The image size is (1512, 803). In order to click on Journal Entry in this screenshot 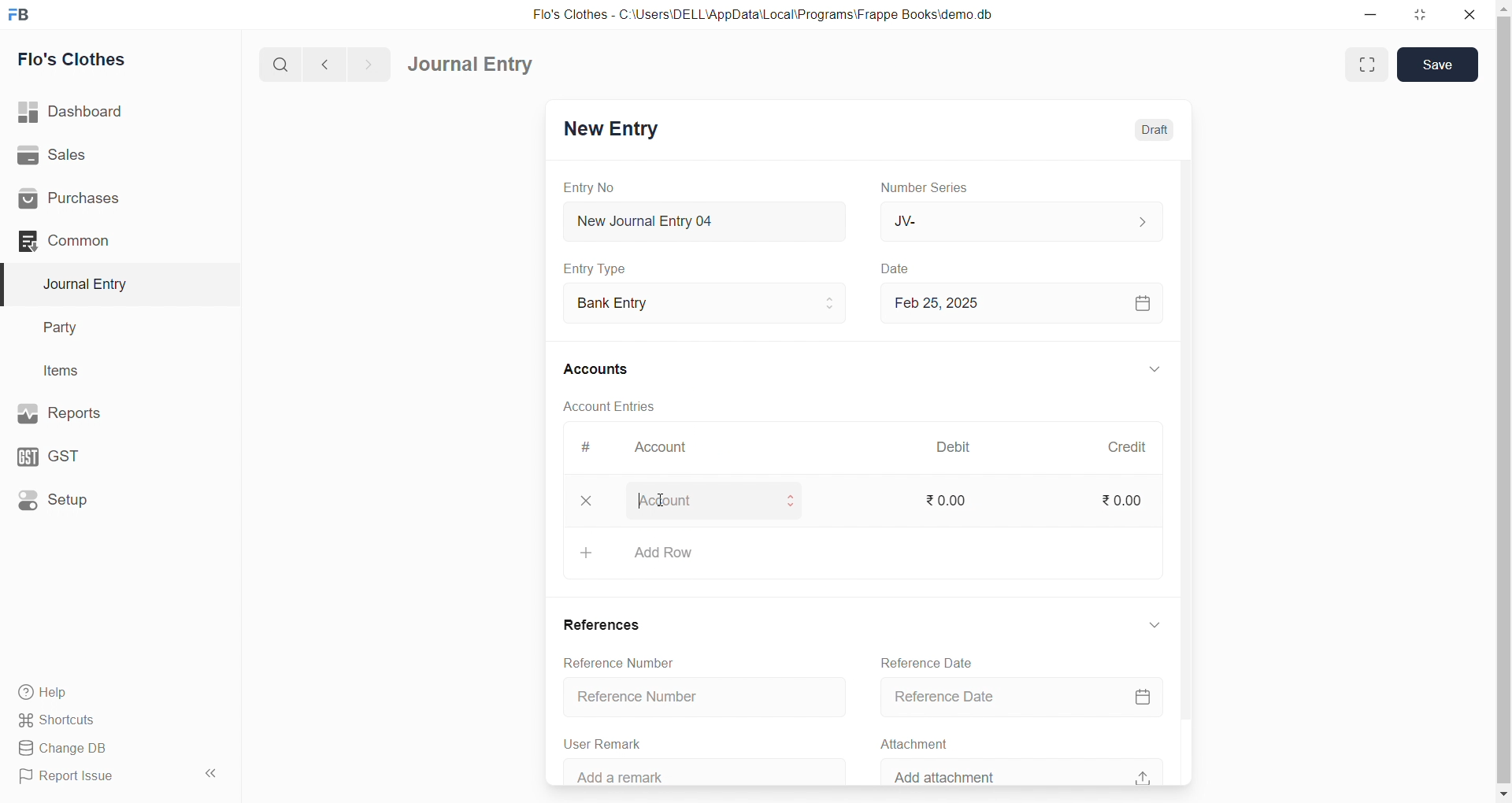, I will do `click(112, 284)`.